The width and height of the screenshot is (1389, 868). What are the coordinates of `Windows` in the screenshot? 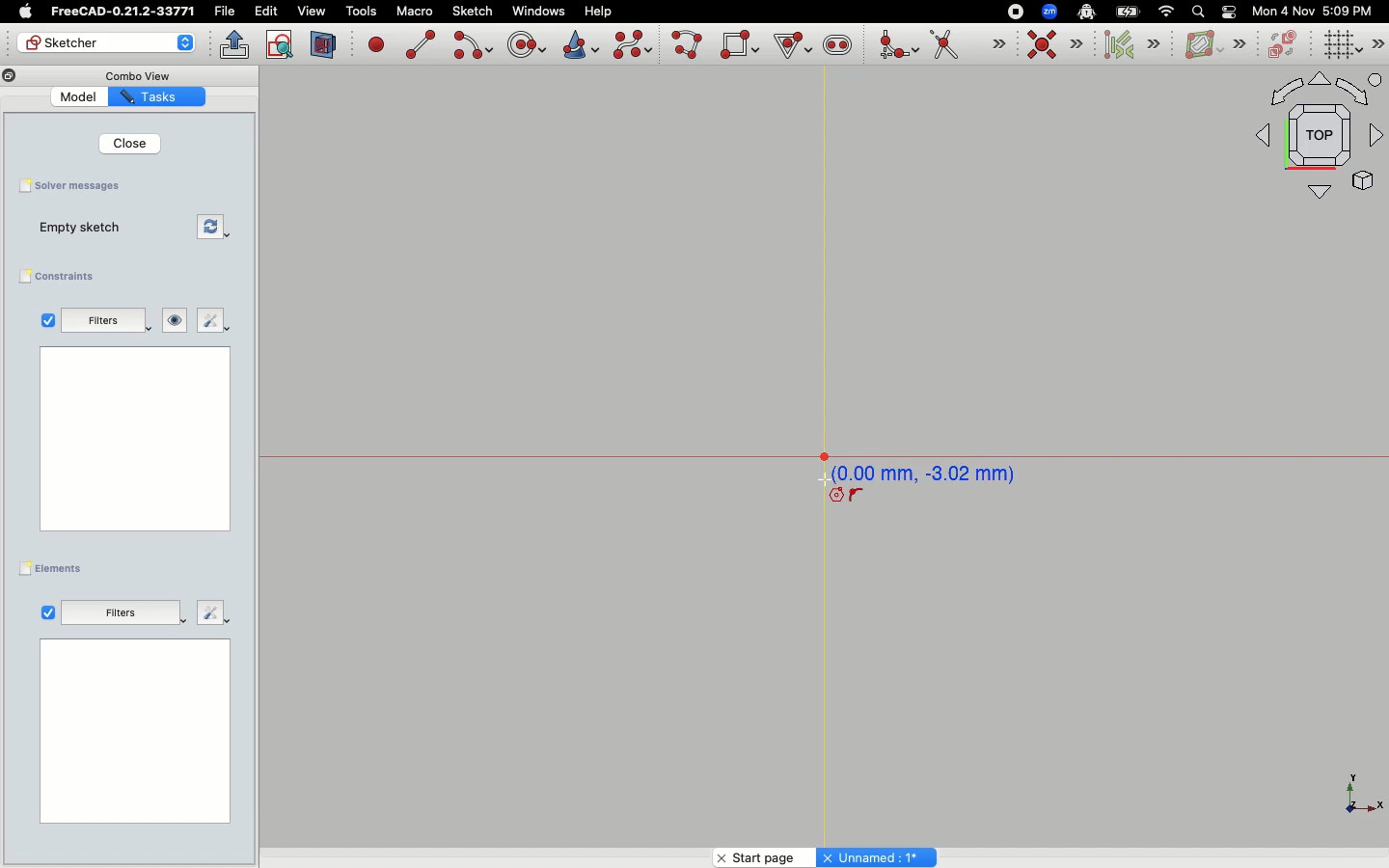 It's located at (538, 12).